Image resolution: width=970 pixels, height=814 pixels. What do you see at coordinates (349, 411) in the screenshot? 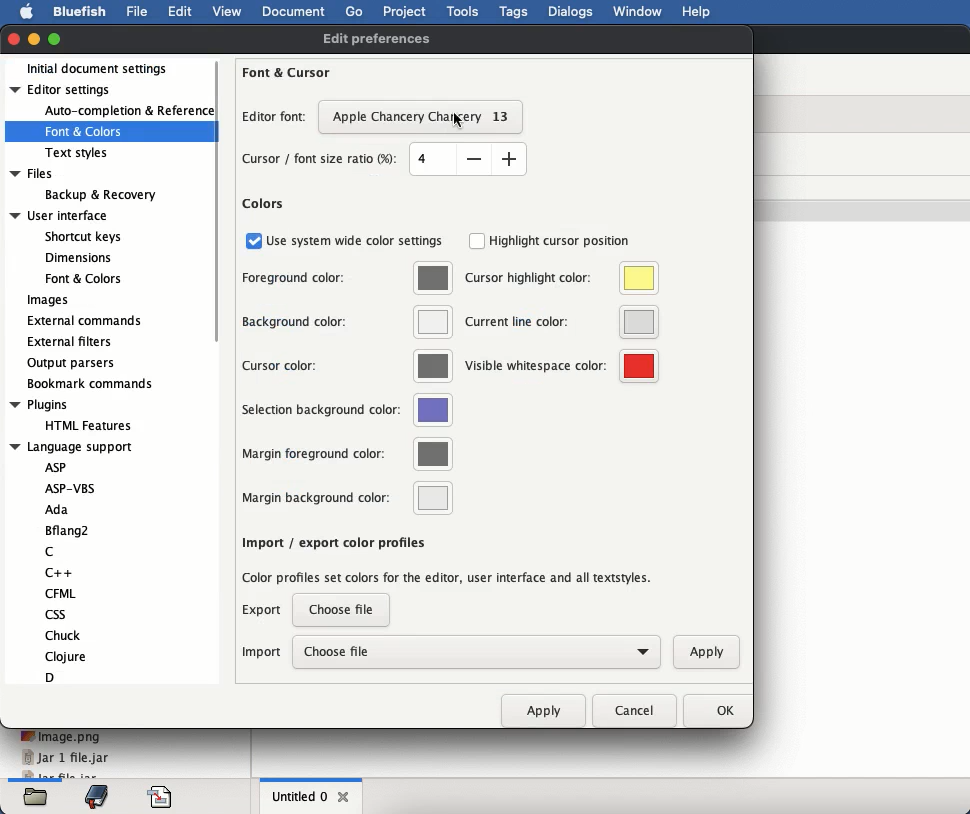
I see `selection background color` at bounding box center [349, 411].